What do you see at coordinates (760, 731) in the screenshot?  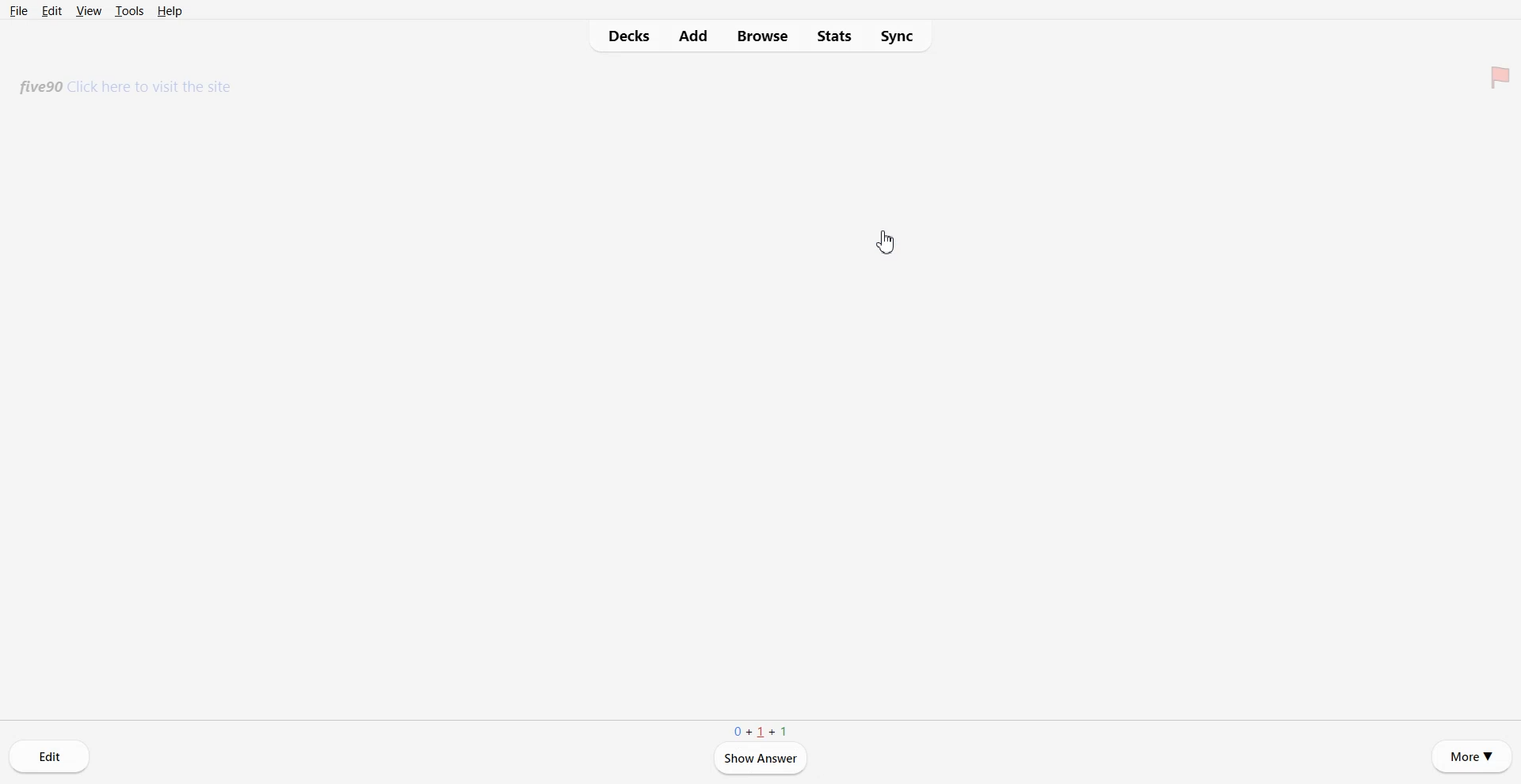 I see `0+1+1` at bounding box center [760, 731].